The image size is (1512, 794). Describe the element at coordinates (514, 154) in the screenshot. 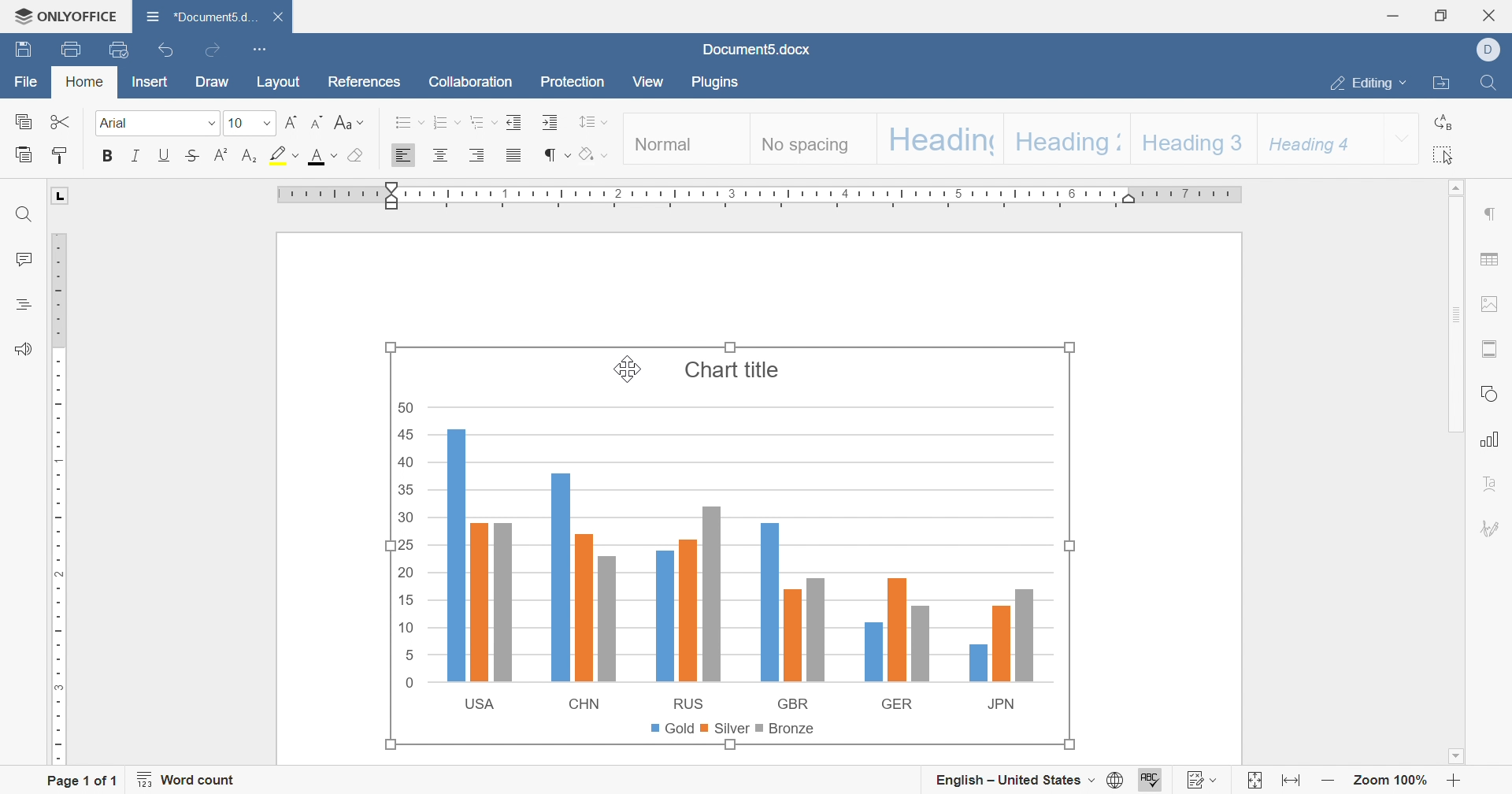

I see `justified` at that location.